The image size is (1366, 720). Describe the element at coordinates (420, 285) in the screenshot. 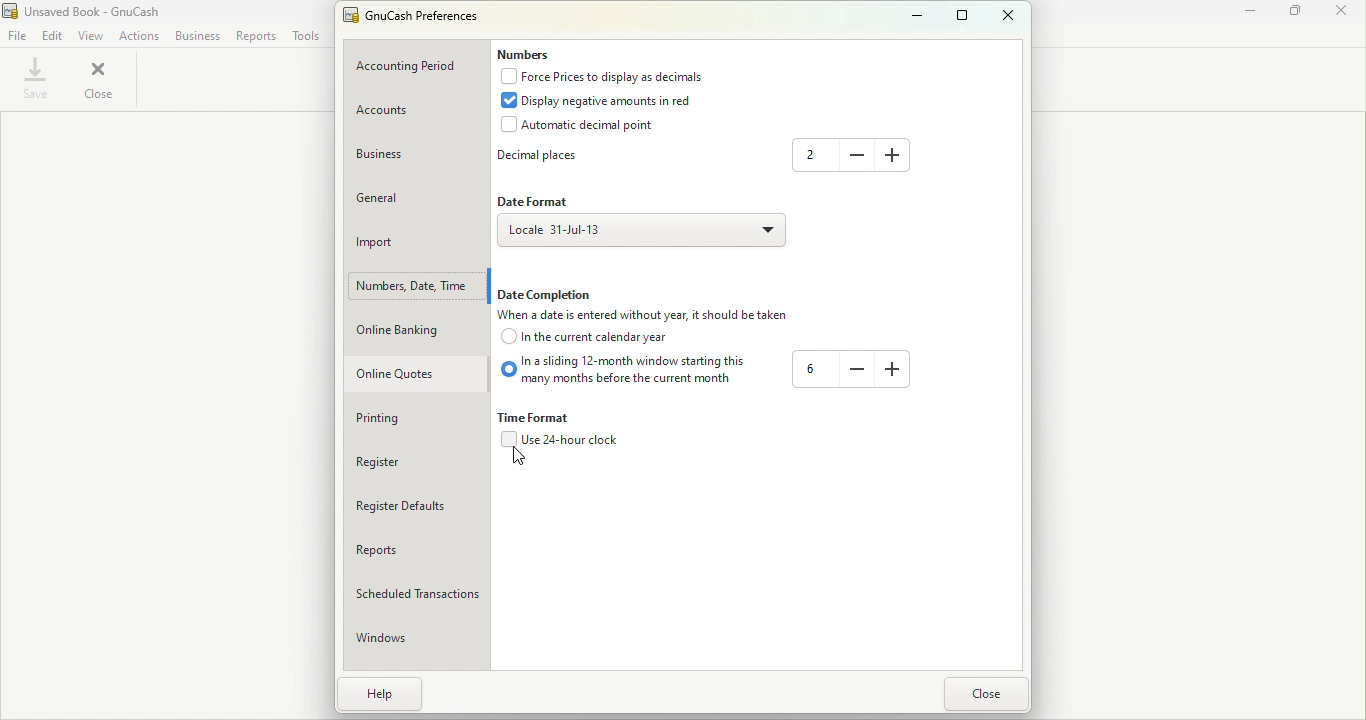

I see `Numbers` at that location.